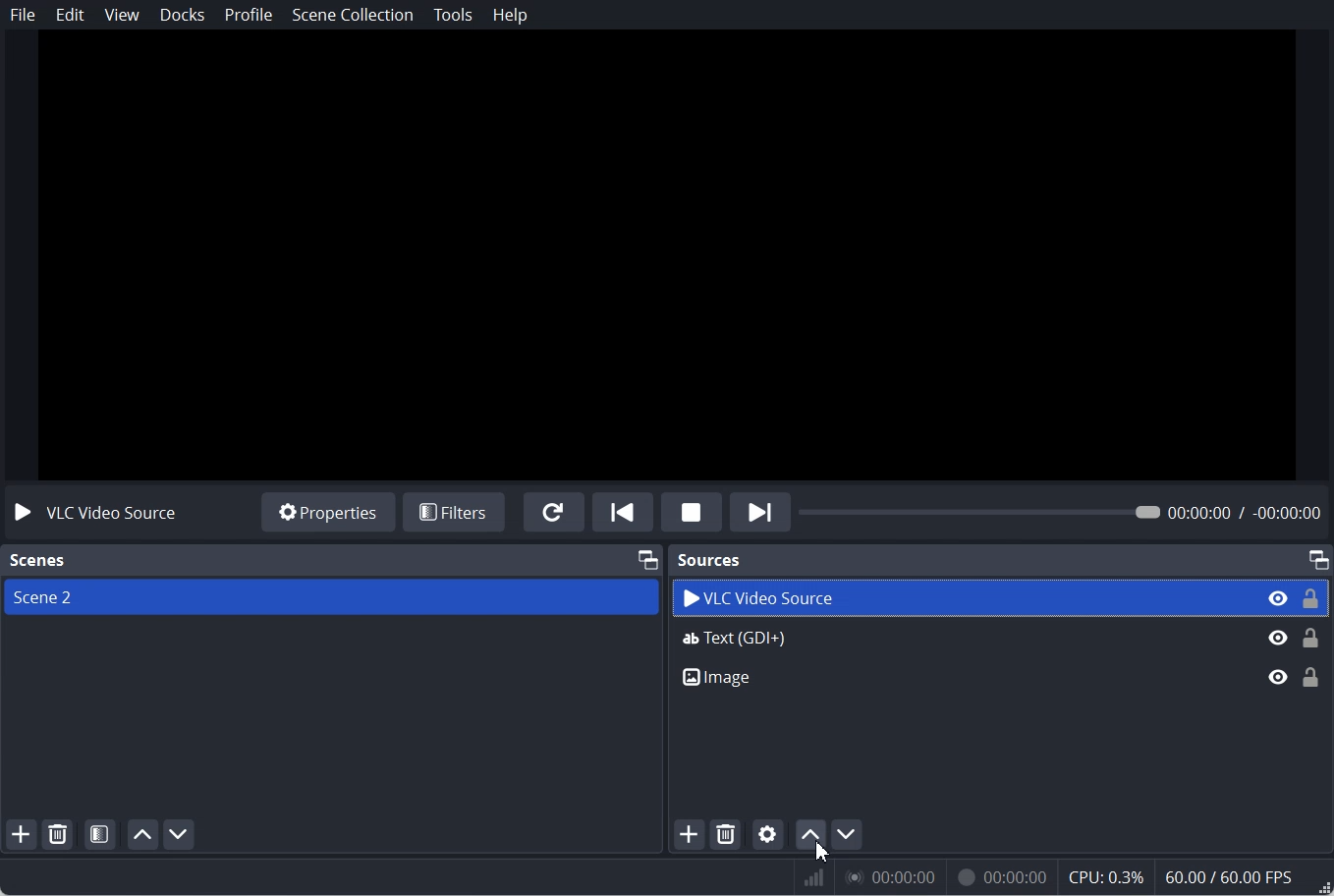 The height and width of the screenshot is (896, 1334). What do you see at coordinates (22, 832) in the screenshot?
I see `Add Scene` at bounding box center [22, 832].